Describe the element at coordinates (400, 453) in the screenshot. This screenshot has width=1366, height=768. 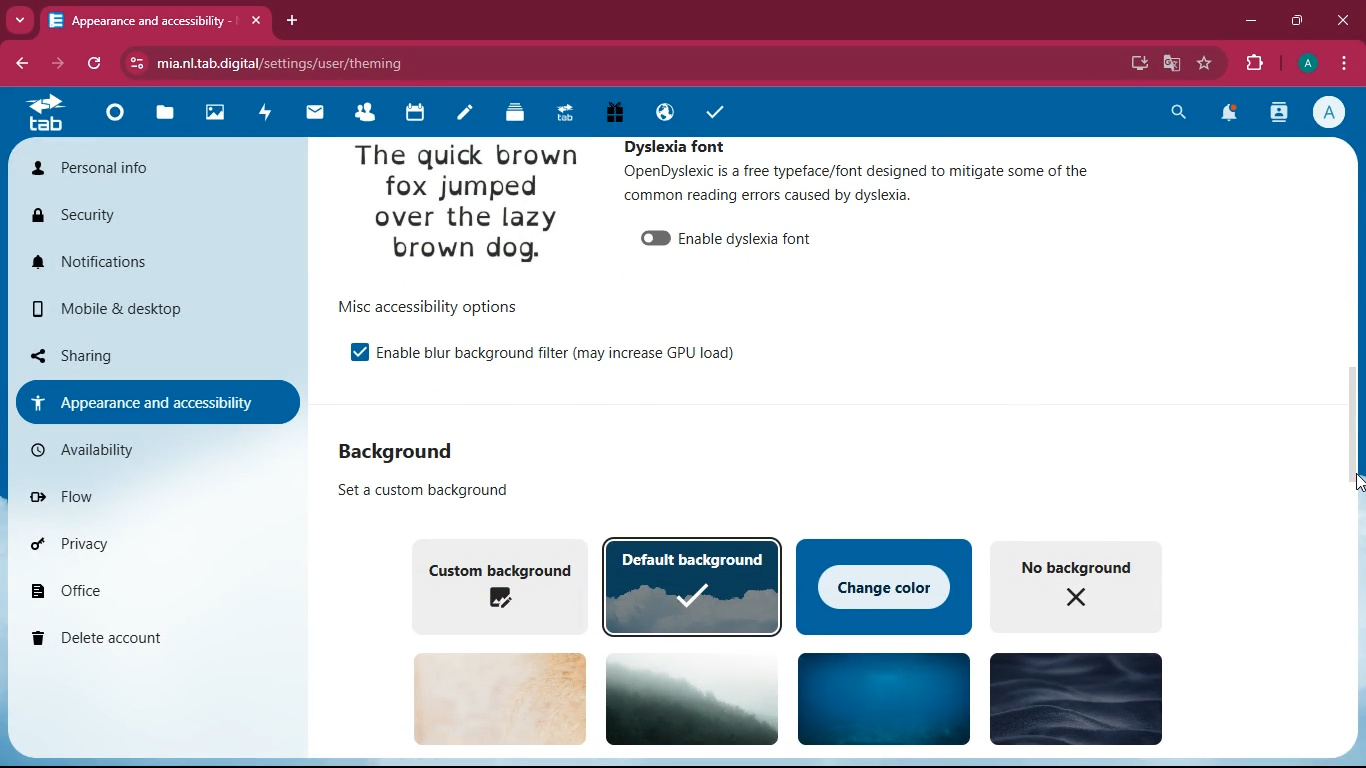
I see `background` at that location.